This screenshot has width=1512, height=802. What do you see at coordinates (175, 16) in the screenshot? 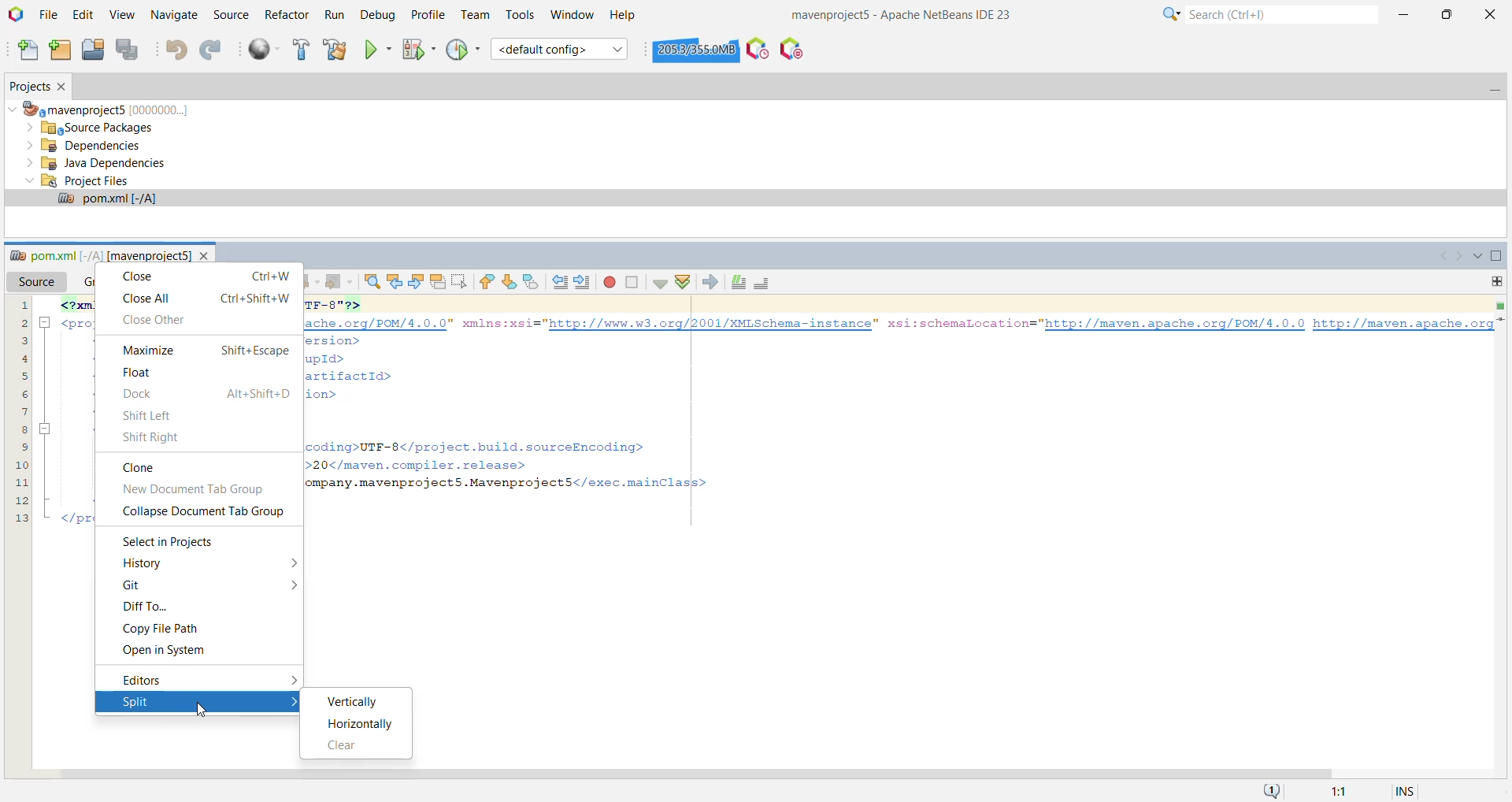
I see `Navigate` at bounding box center [175, 16].